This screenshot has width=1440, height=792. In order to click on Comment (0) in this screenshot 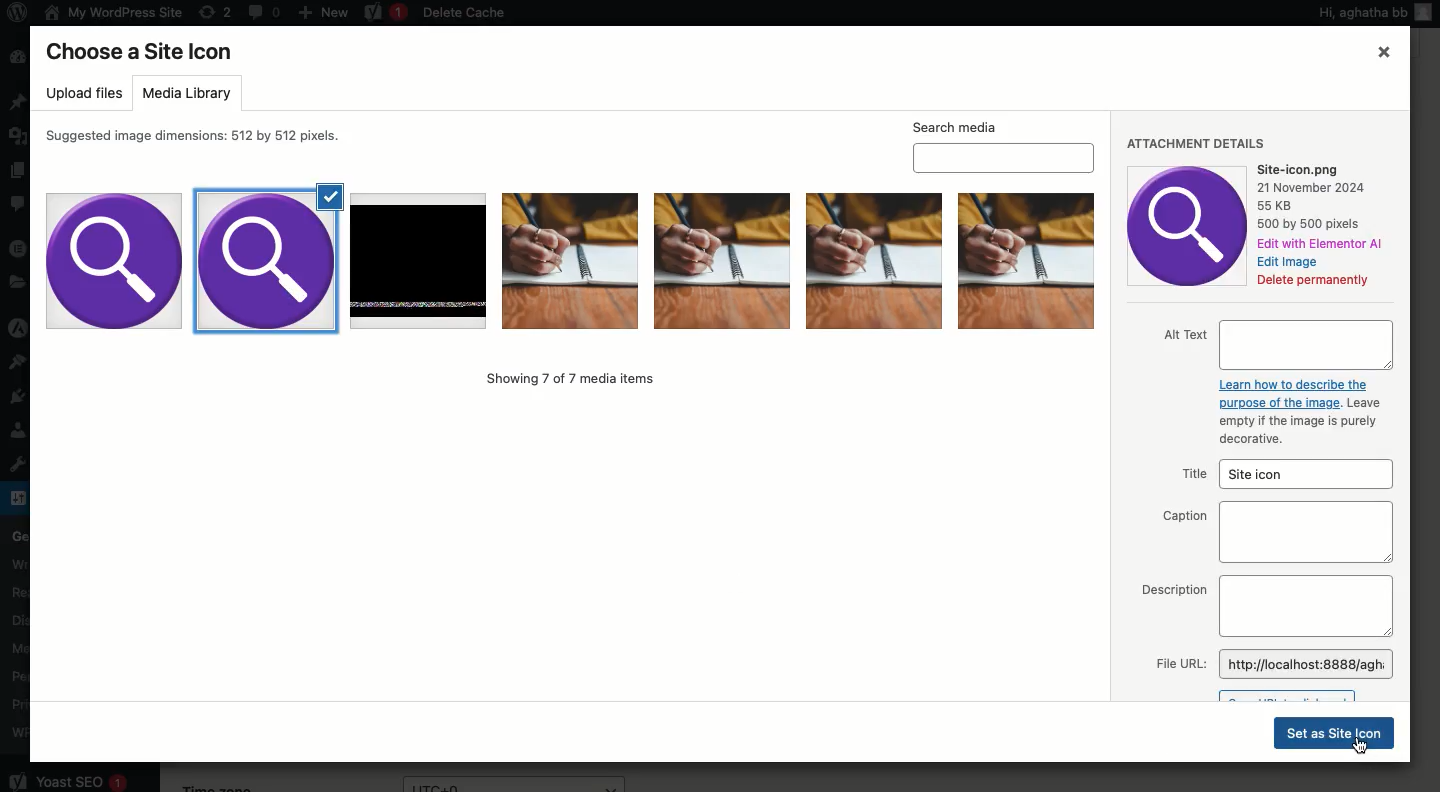, I will do `click(263, 11)`.